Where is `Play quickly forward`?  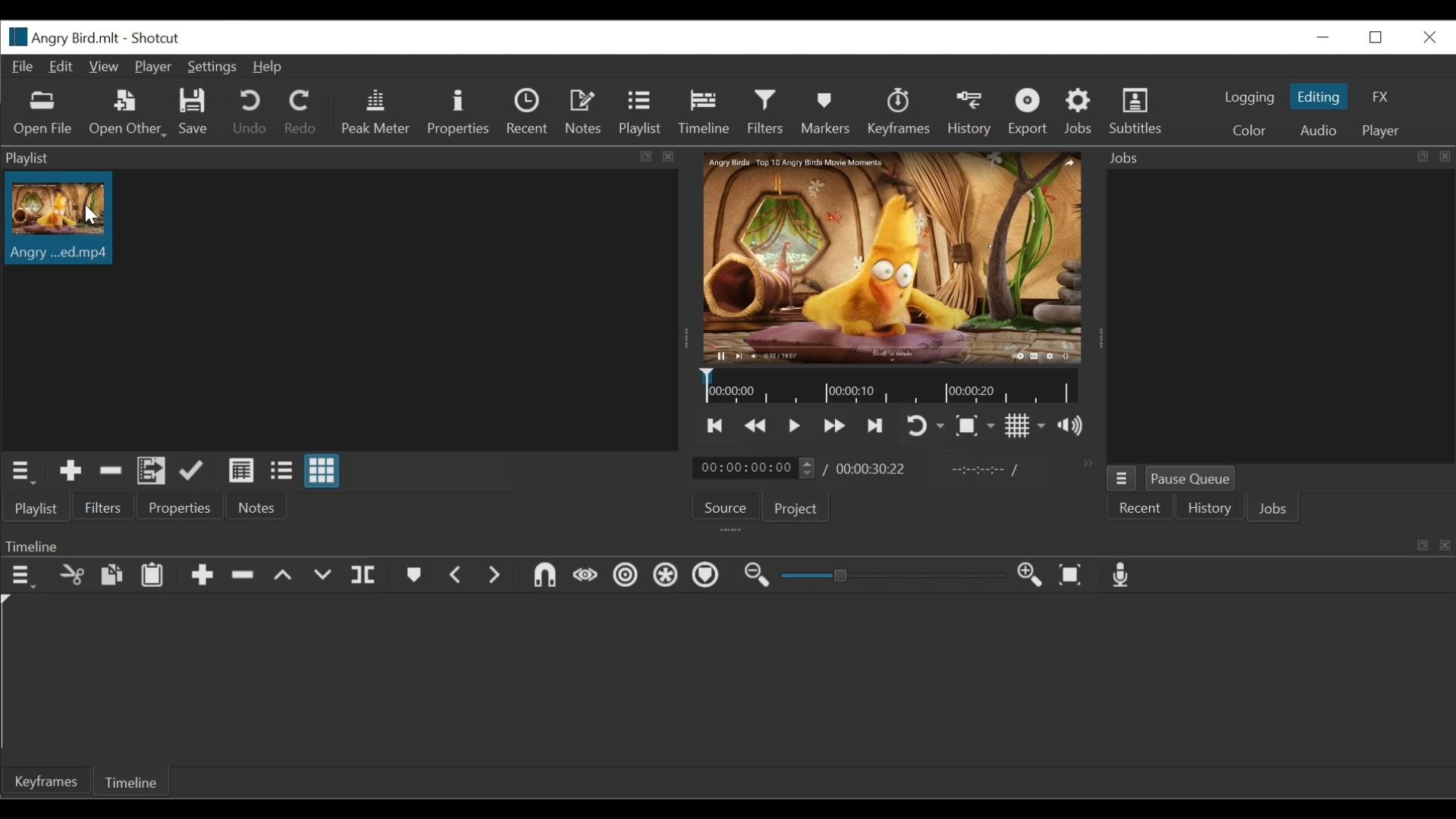 Play quickly forward is located at coordinates (835, 426).